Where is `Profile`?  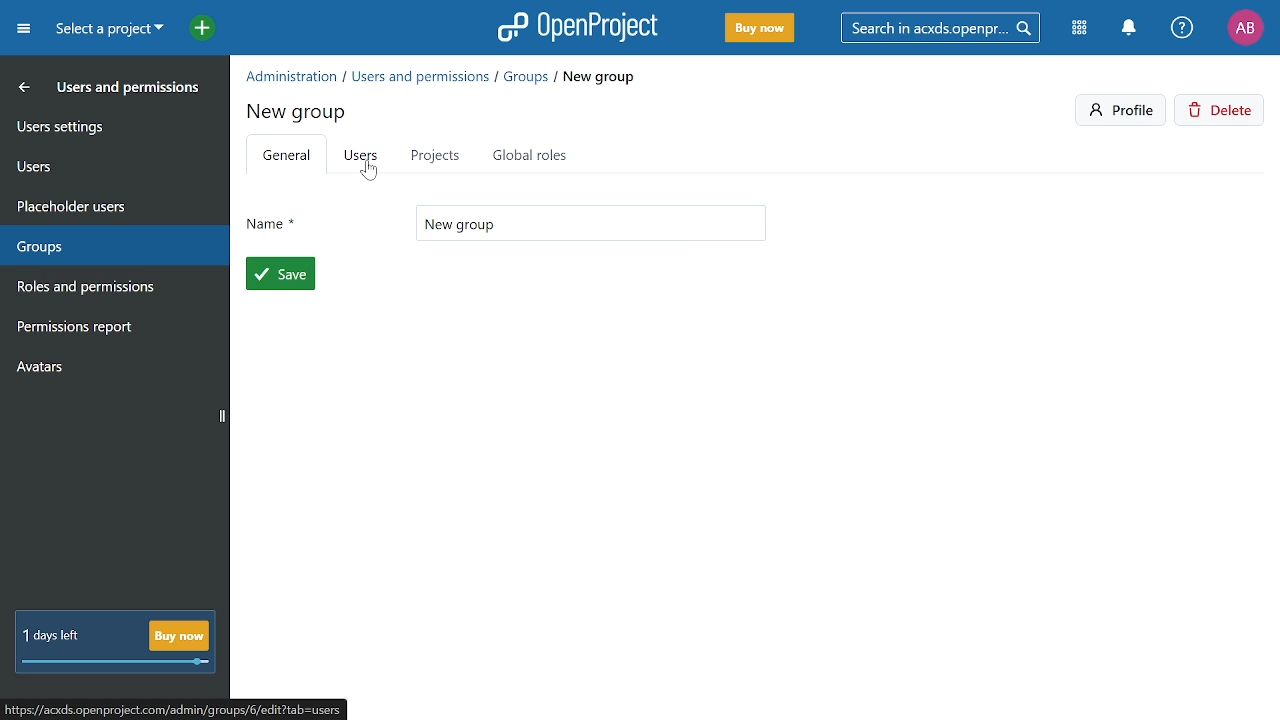 Profile is located at coordinates (1122, 110).